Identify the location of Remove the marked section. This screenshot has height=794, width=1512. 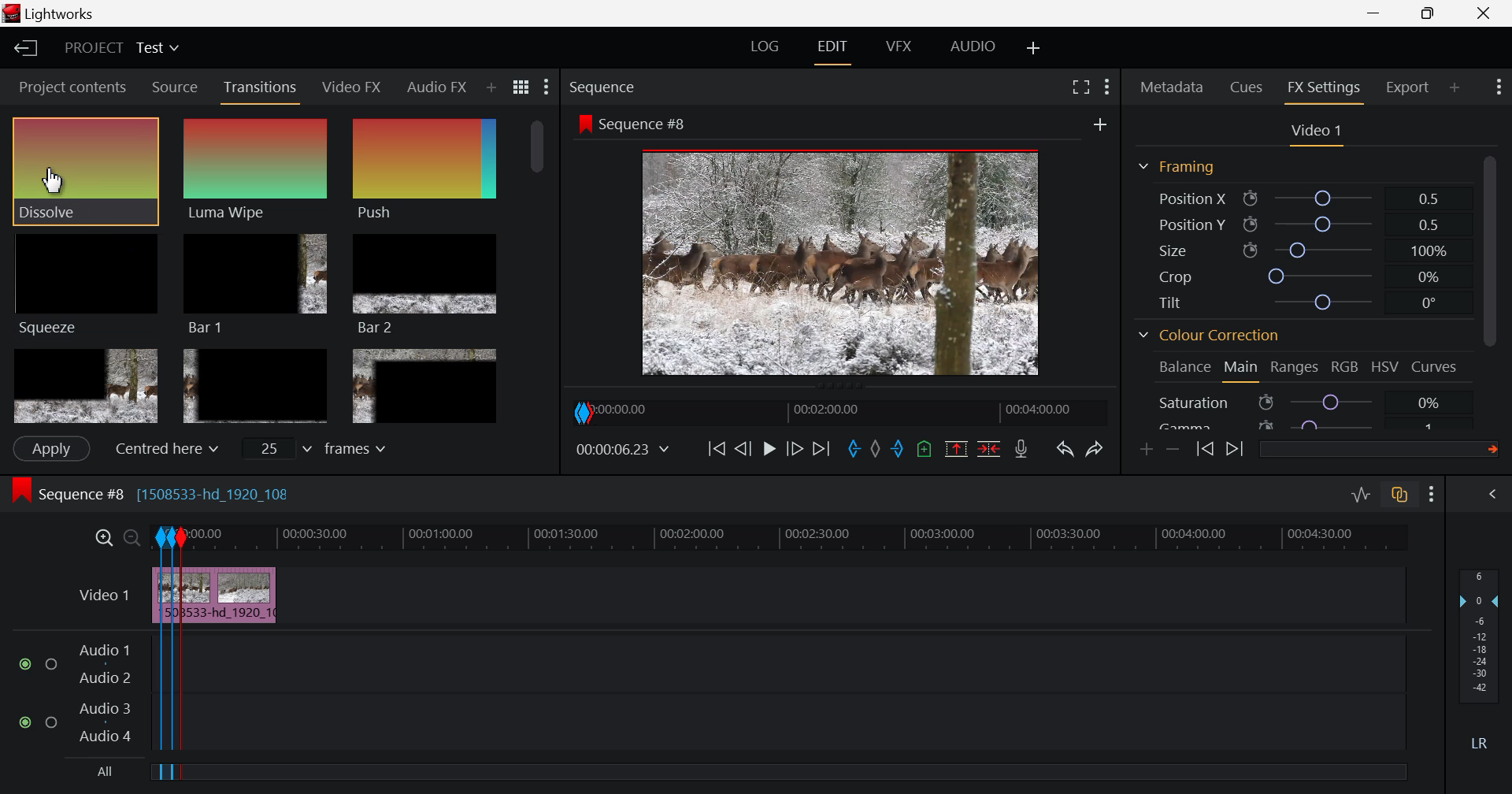
(956, 447).